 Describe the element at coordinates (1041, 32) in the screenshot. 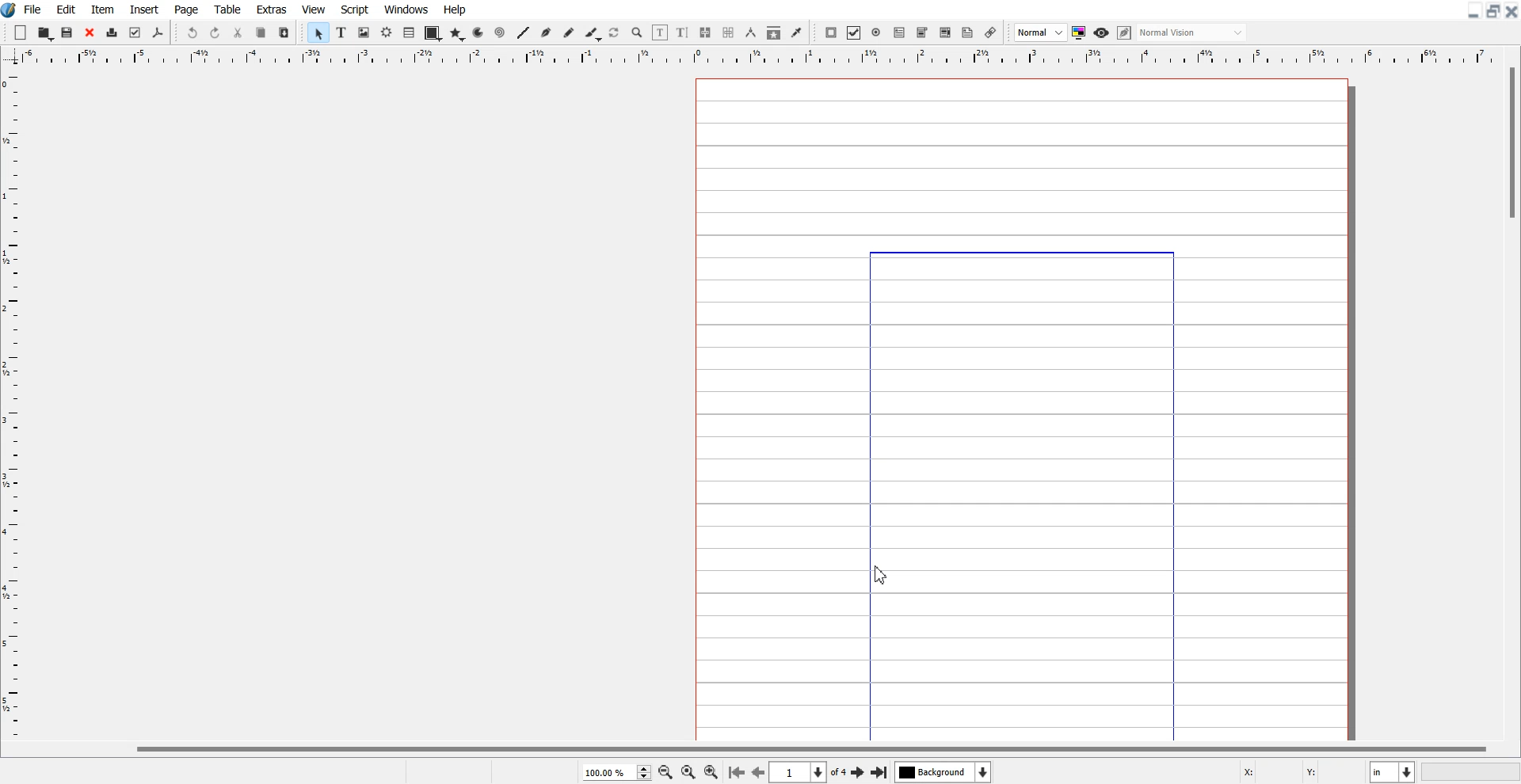

I see `Select image preview Quality` at that location.